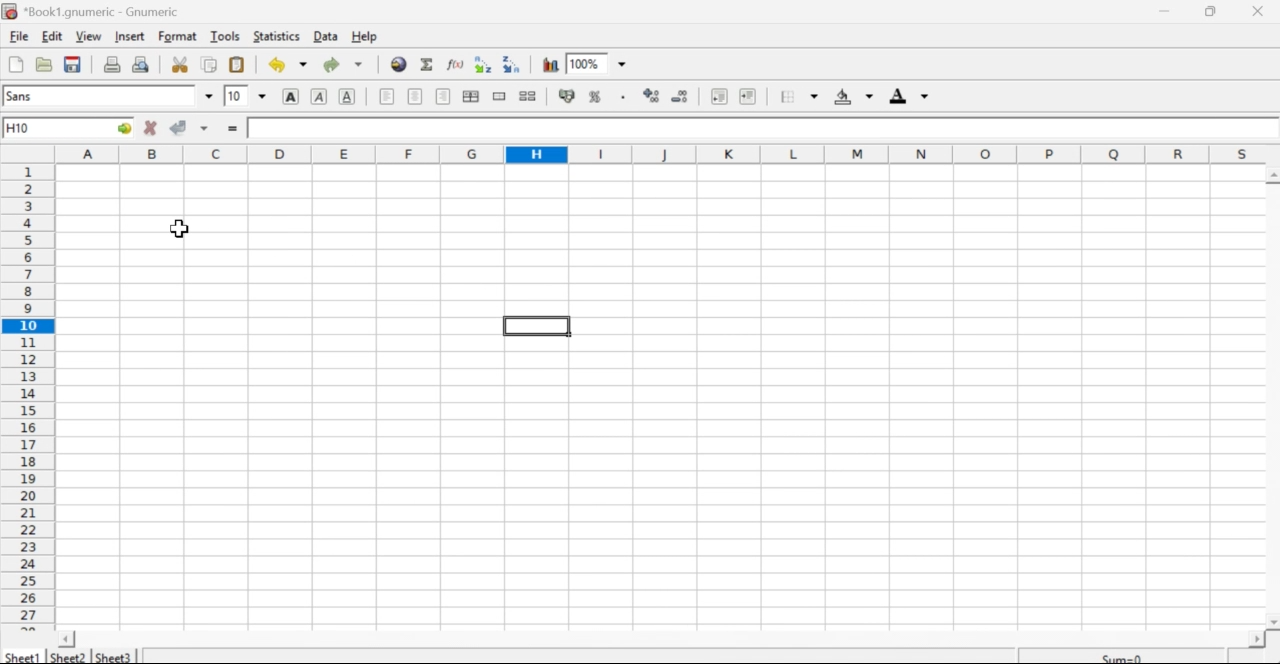 The width and height of the screenshot is (1280, 664). I want to click on Font size, so click(235, 95).